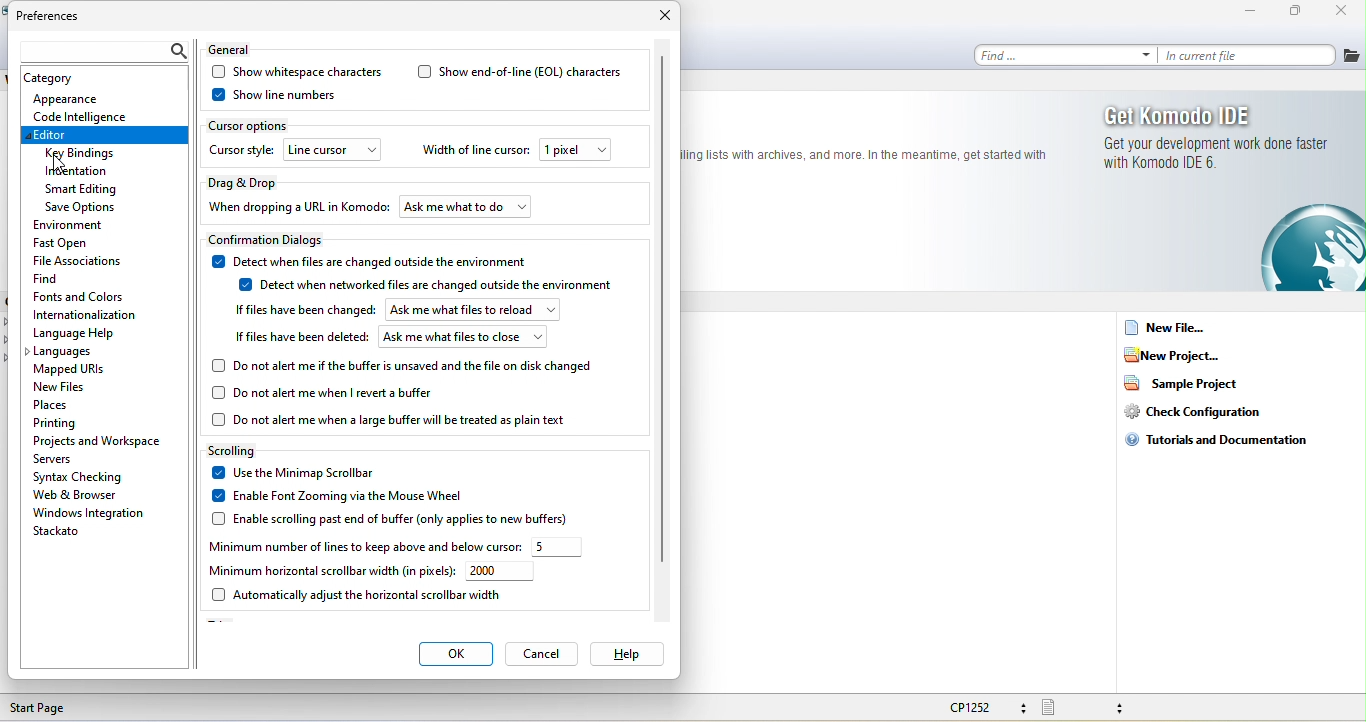 This screenshot has width=1366, height=722. What do you see at coordinates (362, 548) in the screenshot?
I see `minimum number of lines to keep above and below cursor` at bounding box center [362, 548].